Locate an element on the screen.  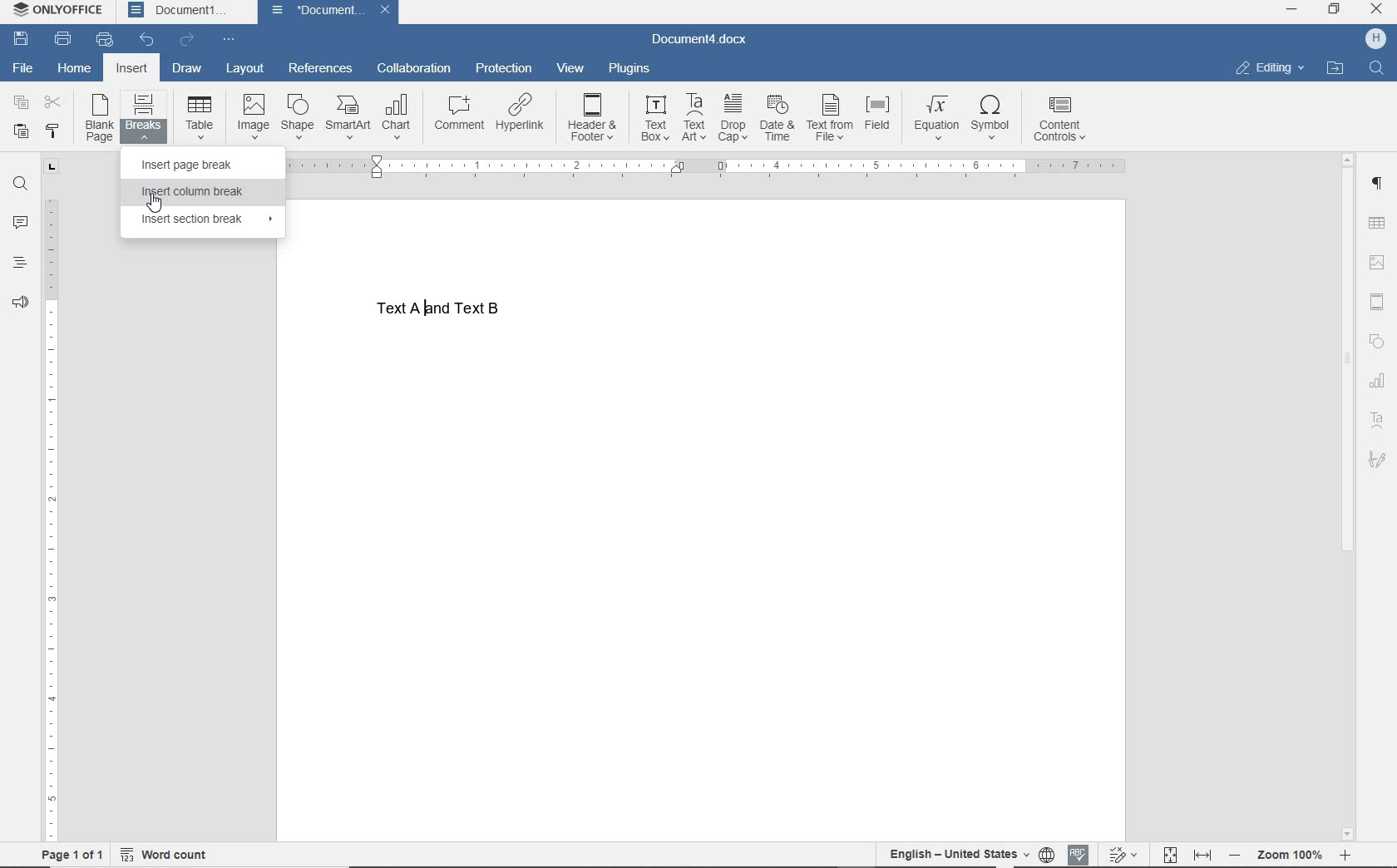
TEXT is located at coordinates (456, 313).